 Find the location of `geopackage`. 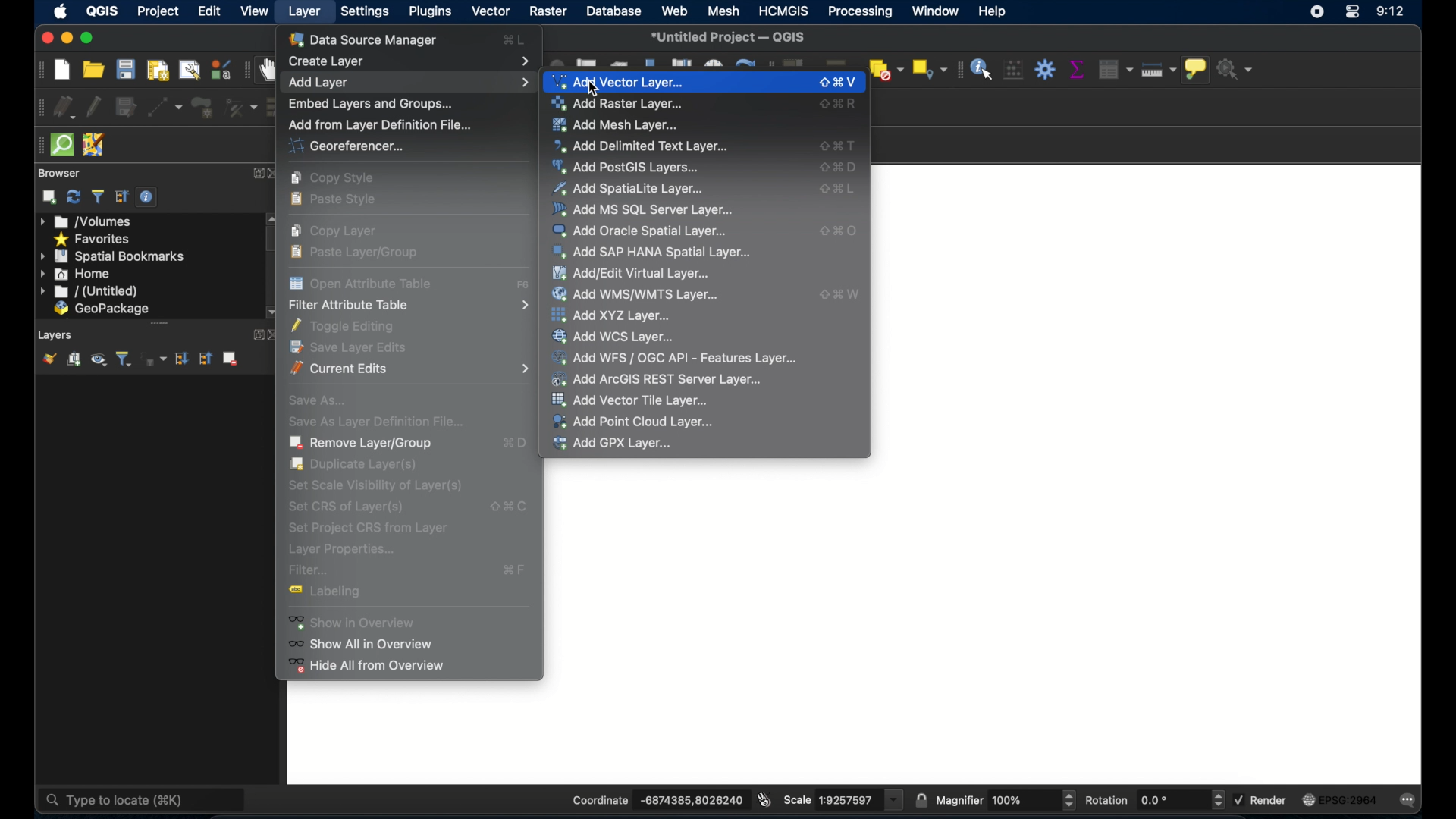

geopackage is located at coordinates (102, 309).